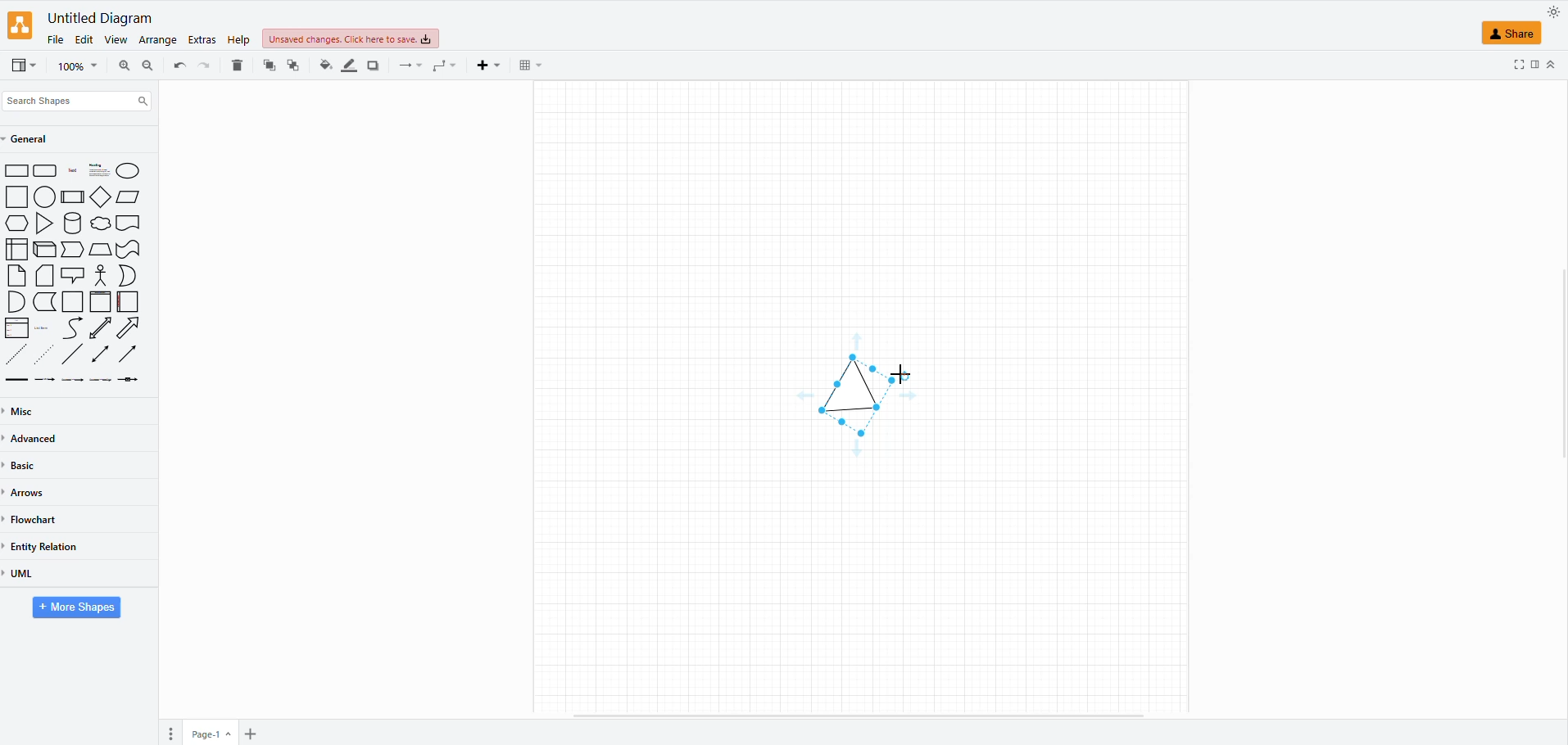 This screenshot has width=1568, height=745. What do you see at coordinates (45, 196) in the screenshot?
I see `Oval` at bounding box center [45, 196].